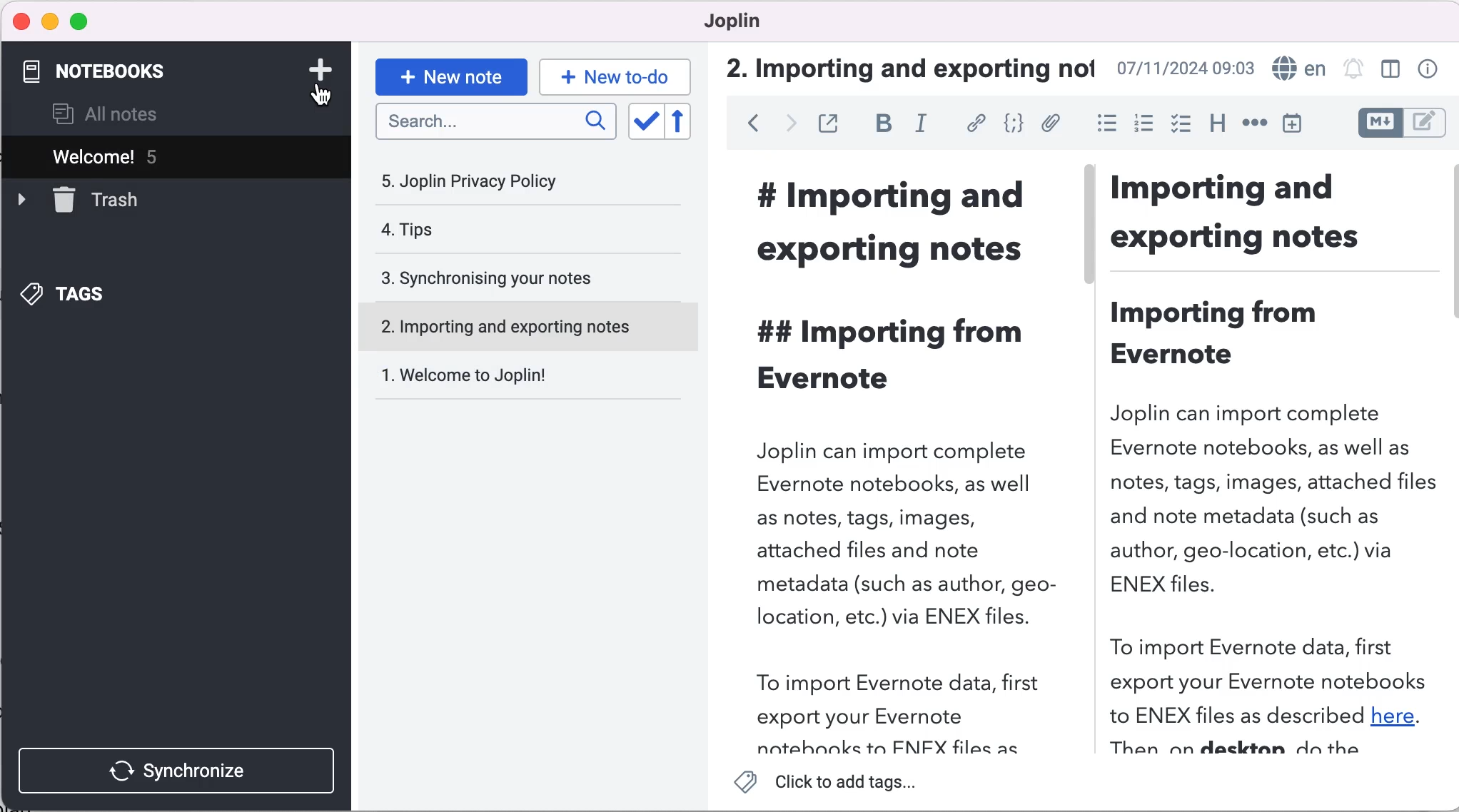 The width and height of the screenshot is (1459, 812). What do you see at coordinates (1089, 227) in the screenshot?
I see `vertical slider` at bounding box center [1089, 227].